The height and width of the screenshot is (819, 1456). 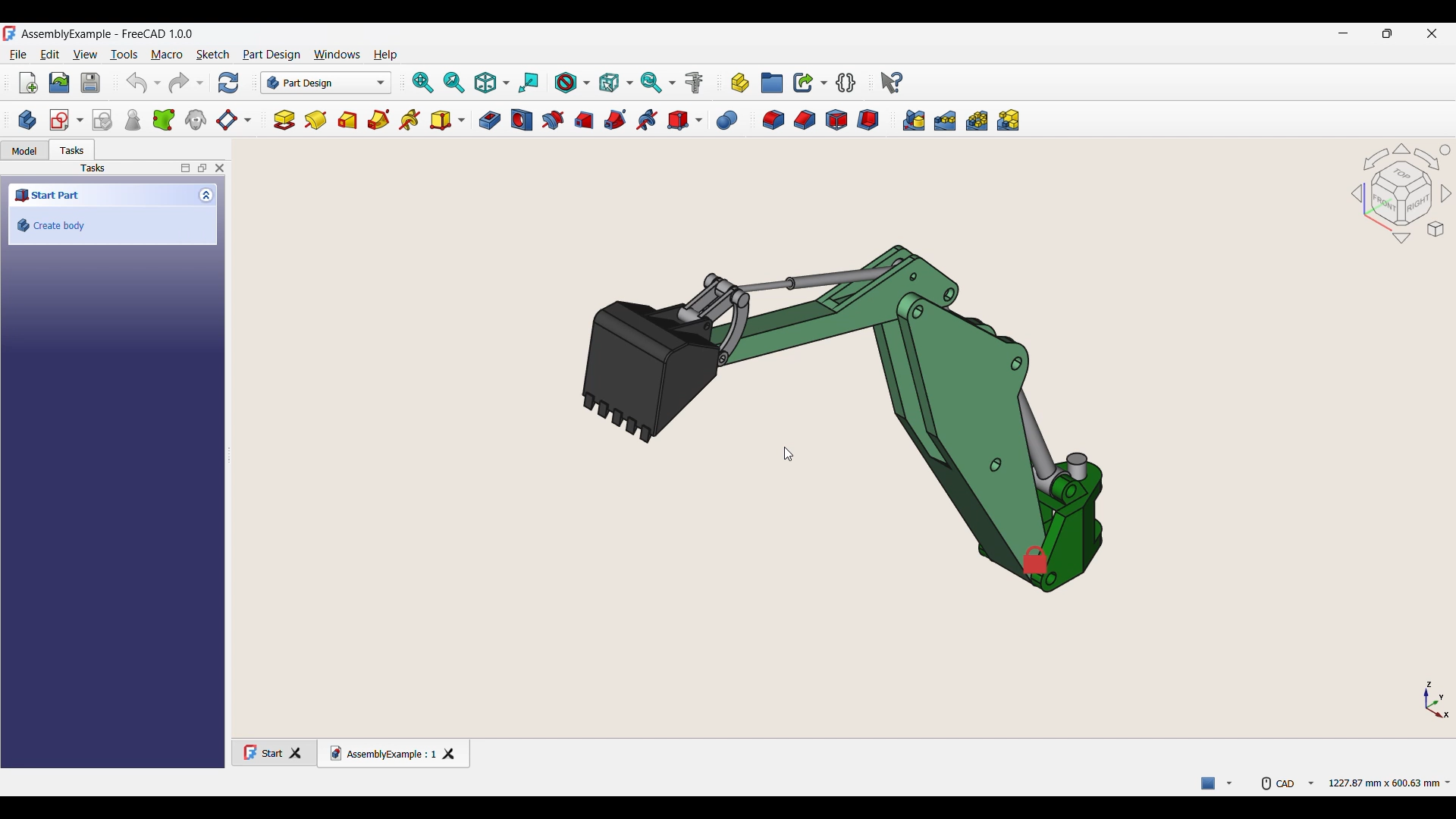 What do you see at coordinates (144, 83) in the screenshot?
I see `Undo` at bounding box center [144, 83].